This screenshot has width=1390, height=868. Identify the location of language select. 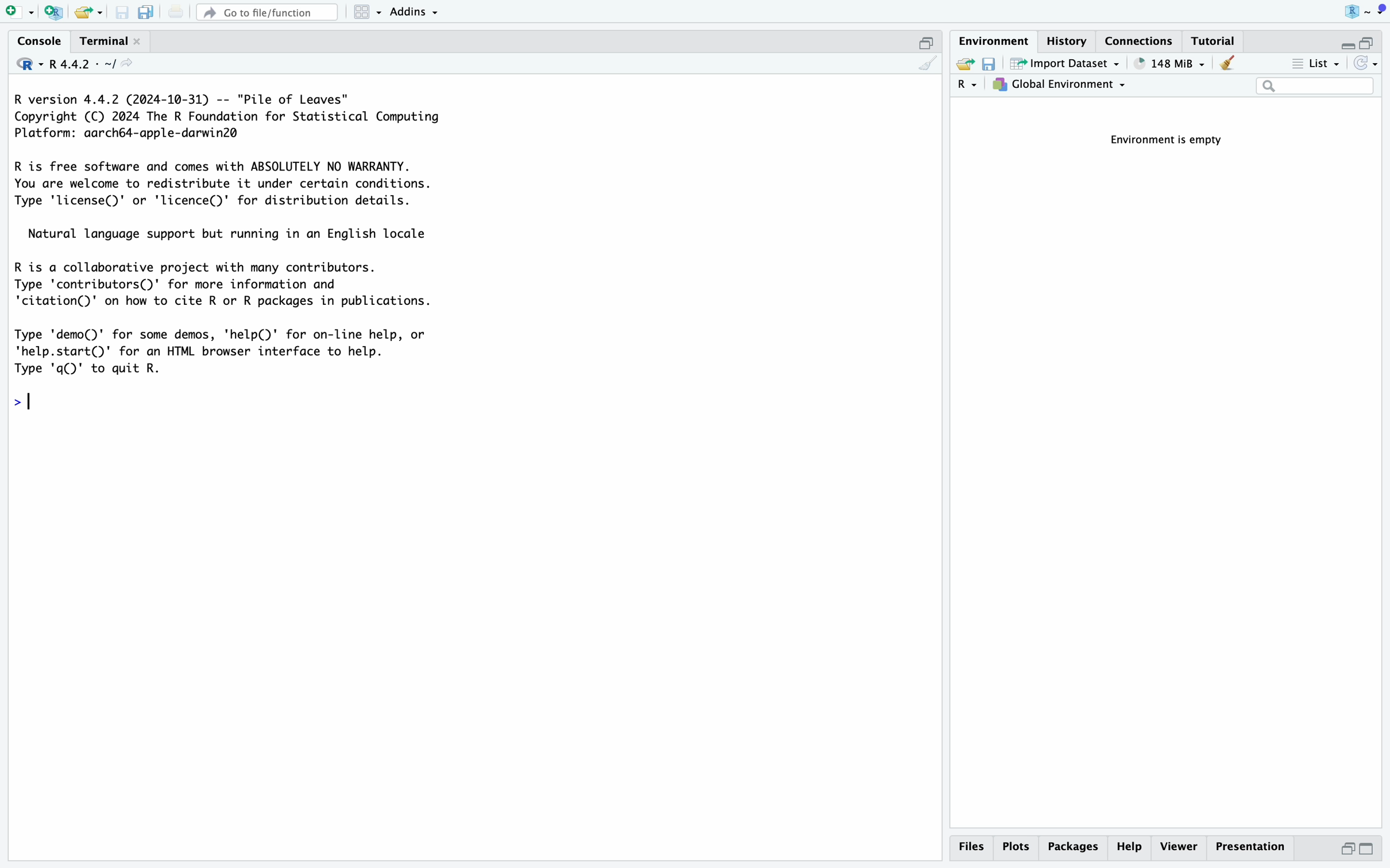
(968, 86).